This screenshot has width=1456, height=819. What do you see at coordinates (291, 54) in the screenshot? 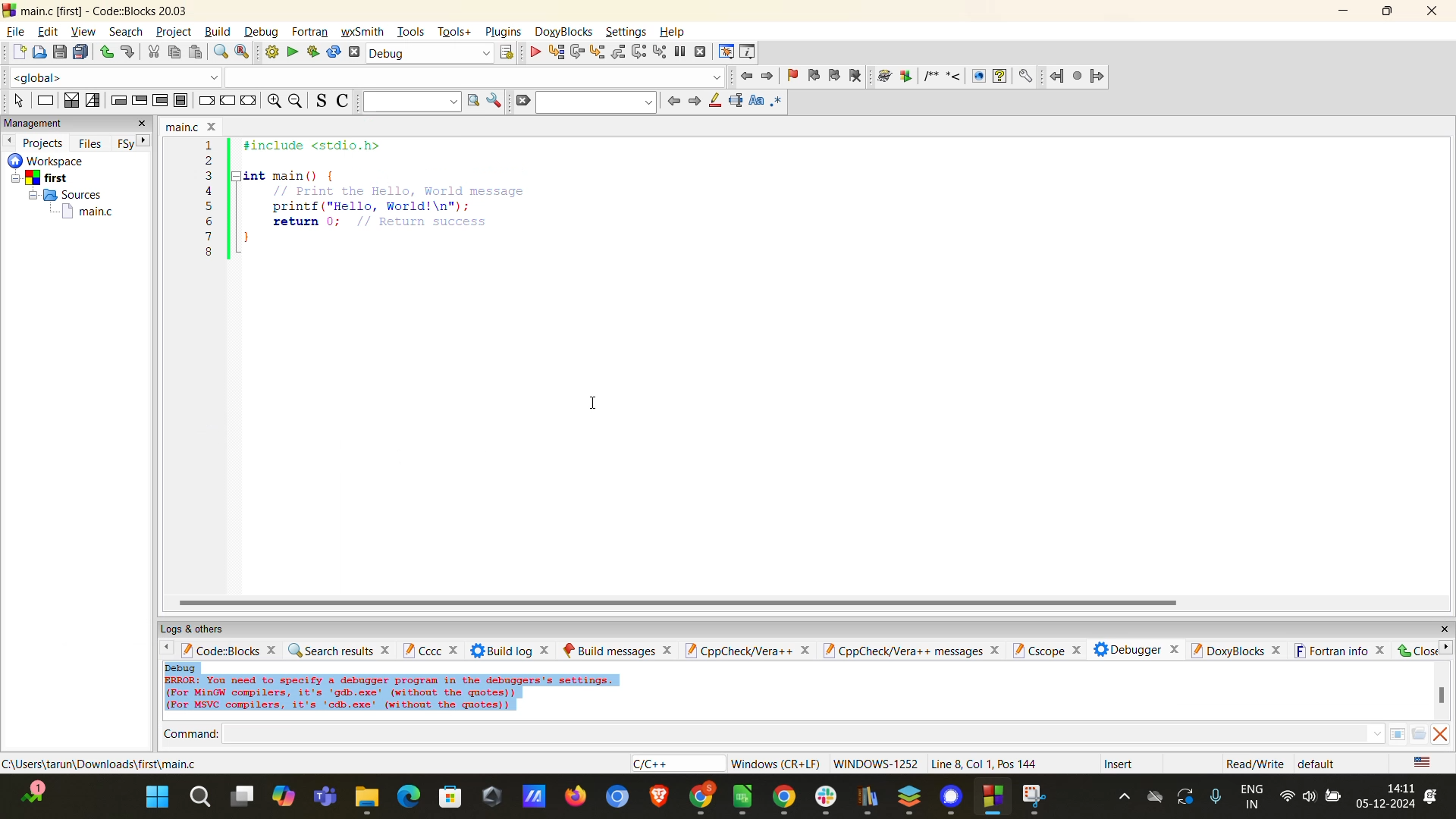
I see `run` at bounding box center [291, 54].